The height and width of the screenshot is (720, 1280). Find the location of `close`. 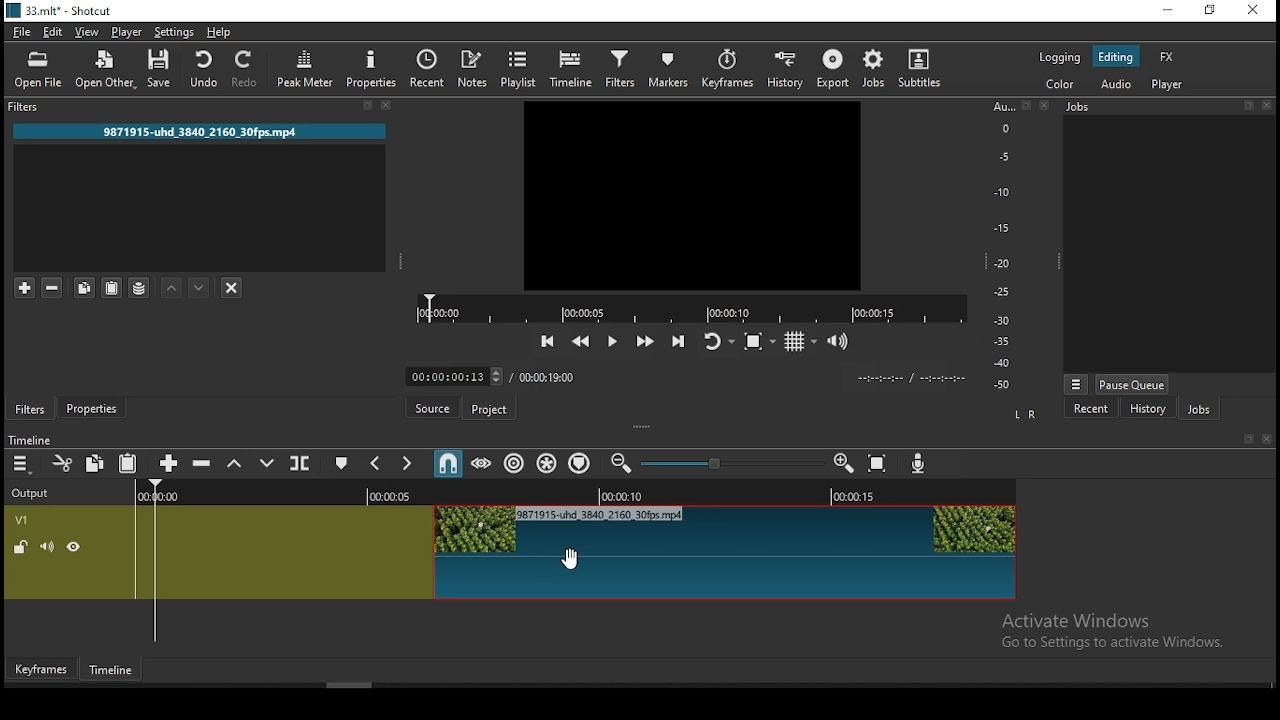

close is located at coordinates (385, 105).